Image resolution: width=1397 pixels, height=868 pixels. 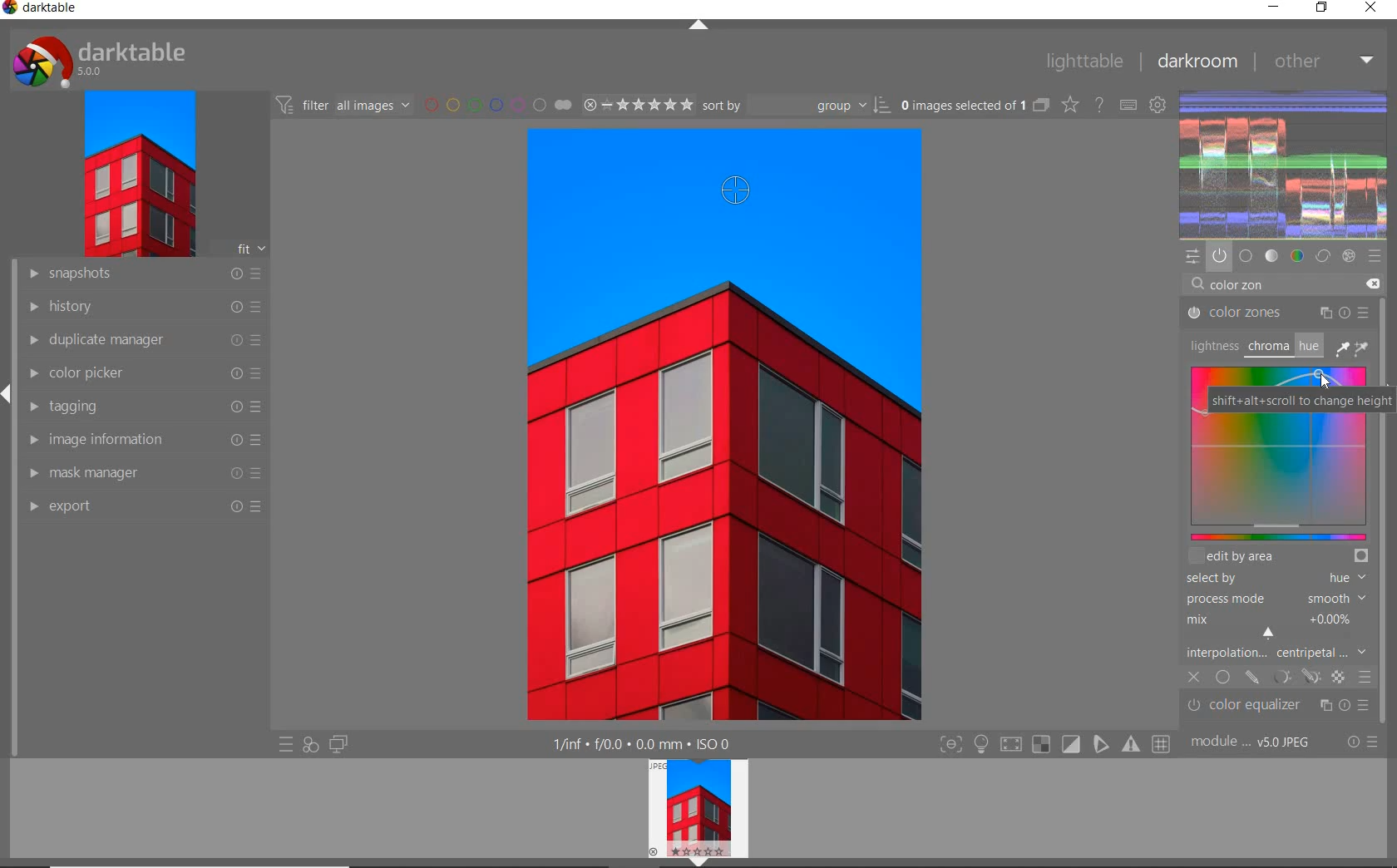 I want to click on highlight, so click(x=983, y=747).